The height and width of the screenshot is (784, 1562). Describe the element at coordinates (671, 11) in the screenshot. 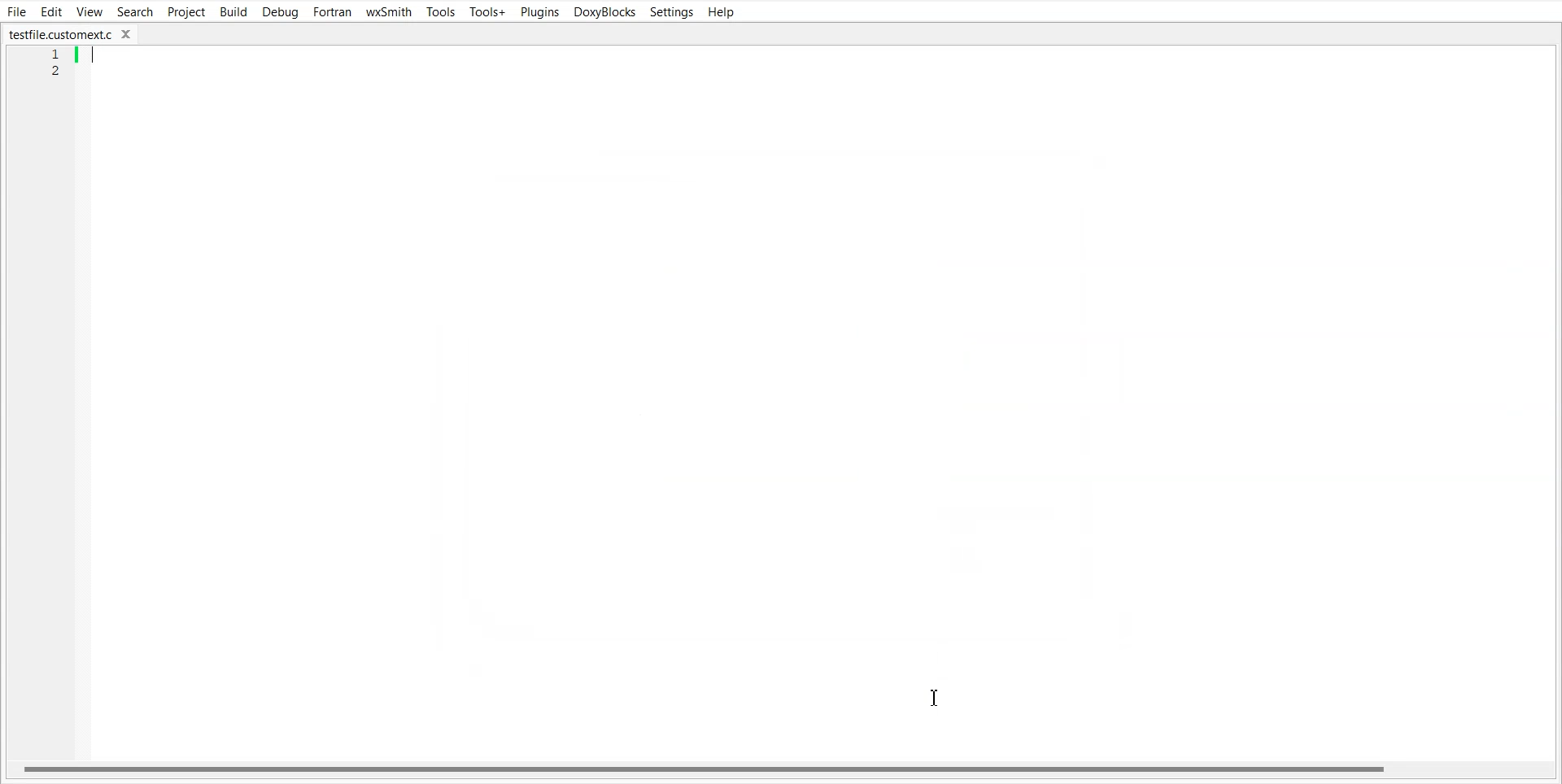

I see `Settings` at that location.